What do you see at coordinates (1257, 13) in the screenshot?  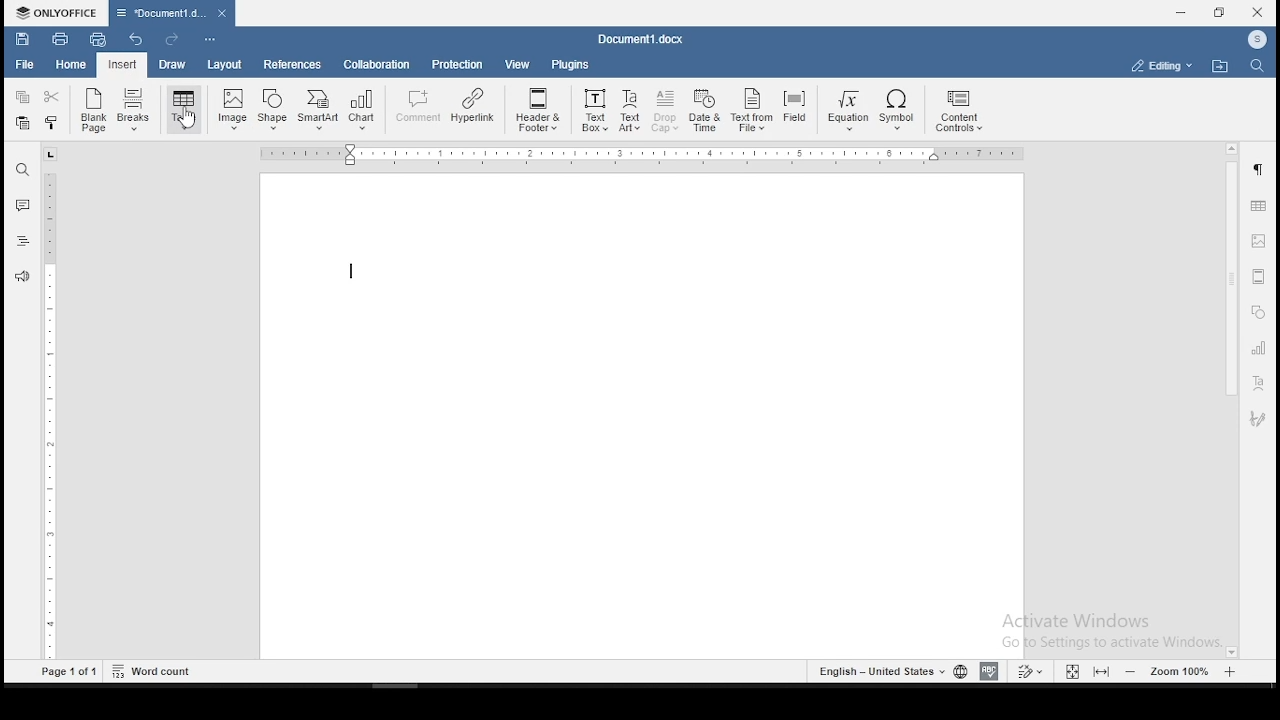 I see `close window` at bounding box center [1257, 13].